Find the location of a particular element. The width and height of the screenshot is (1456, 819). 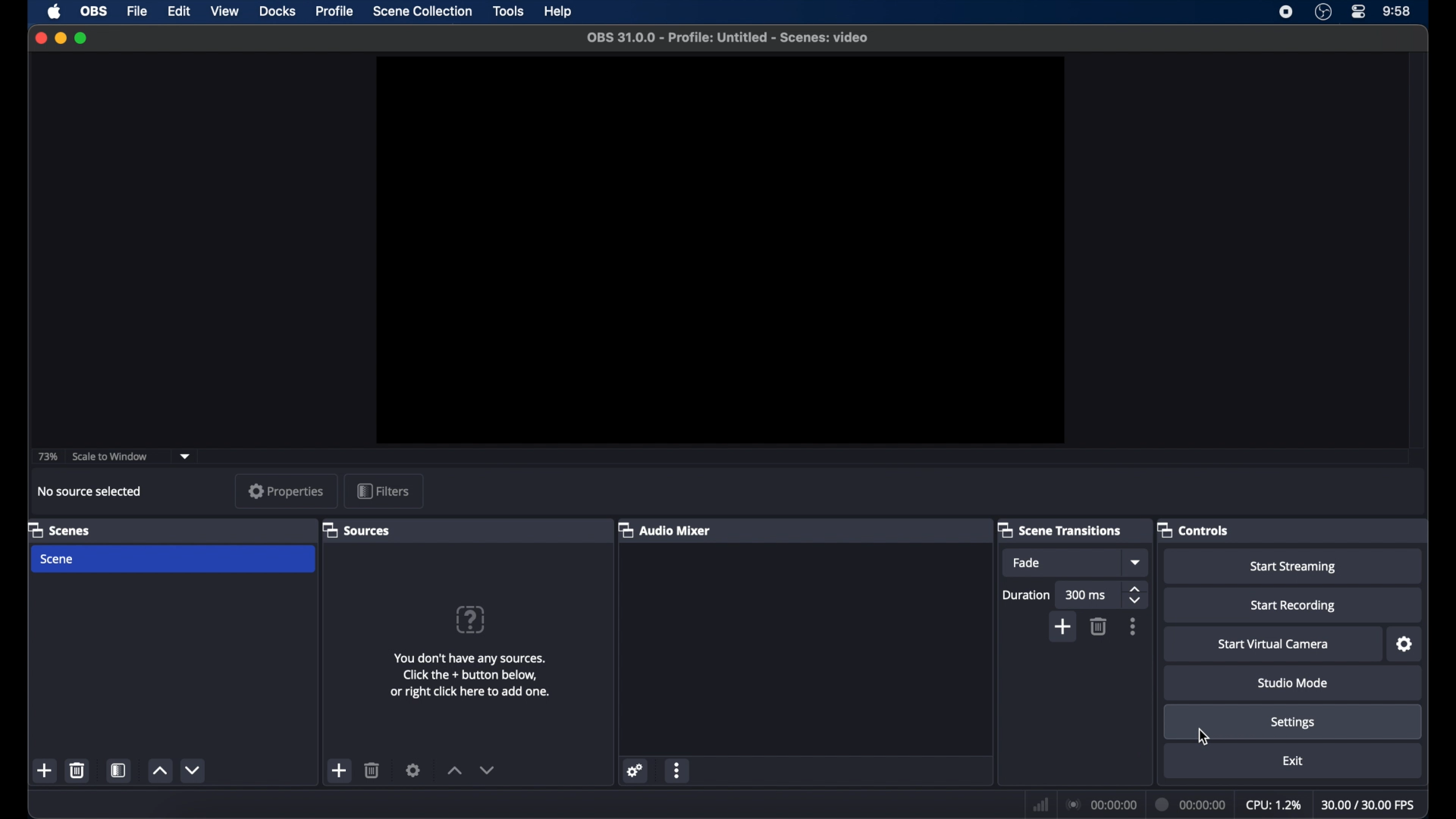

profile is located at coordinates (336, 11).